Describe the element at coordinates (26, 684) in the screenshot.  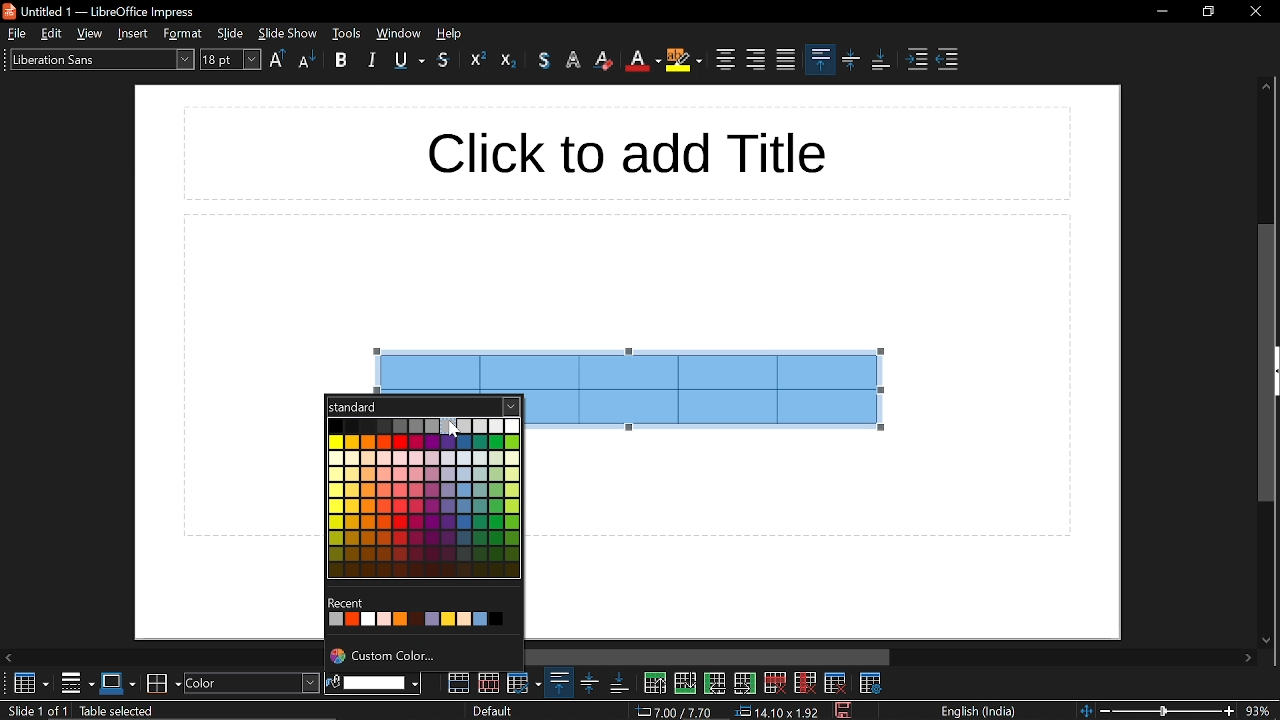
I see `table` at that location.